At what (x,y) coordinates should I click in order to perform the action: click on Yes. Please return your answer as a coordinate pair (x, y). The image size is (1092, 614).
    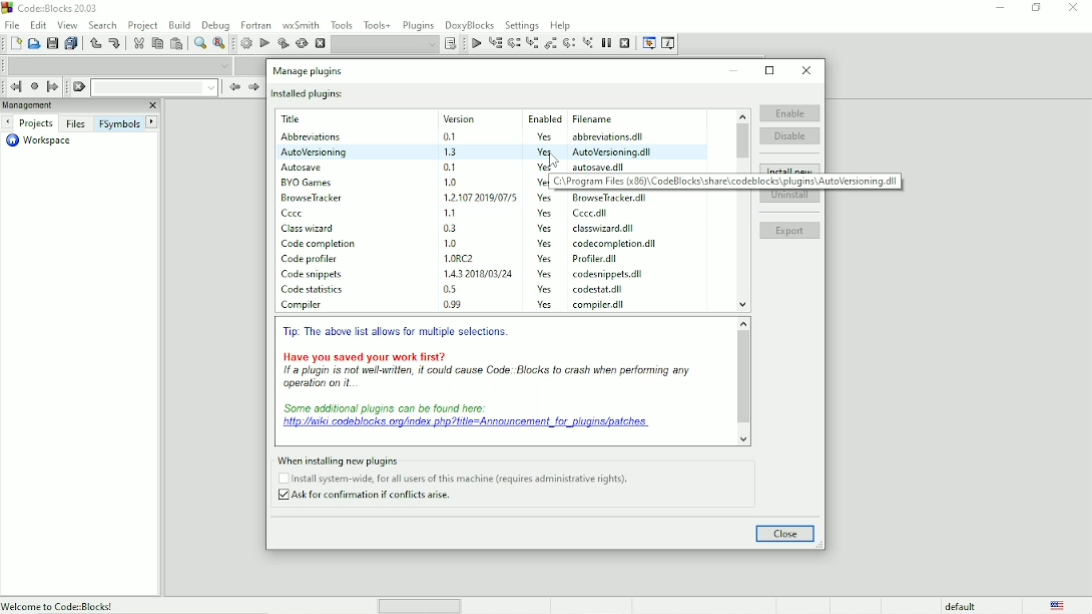
    Looking at the image, I should click on (548, 306).